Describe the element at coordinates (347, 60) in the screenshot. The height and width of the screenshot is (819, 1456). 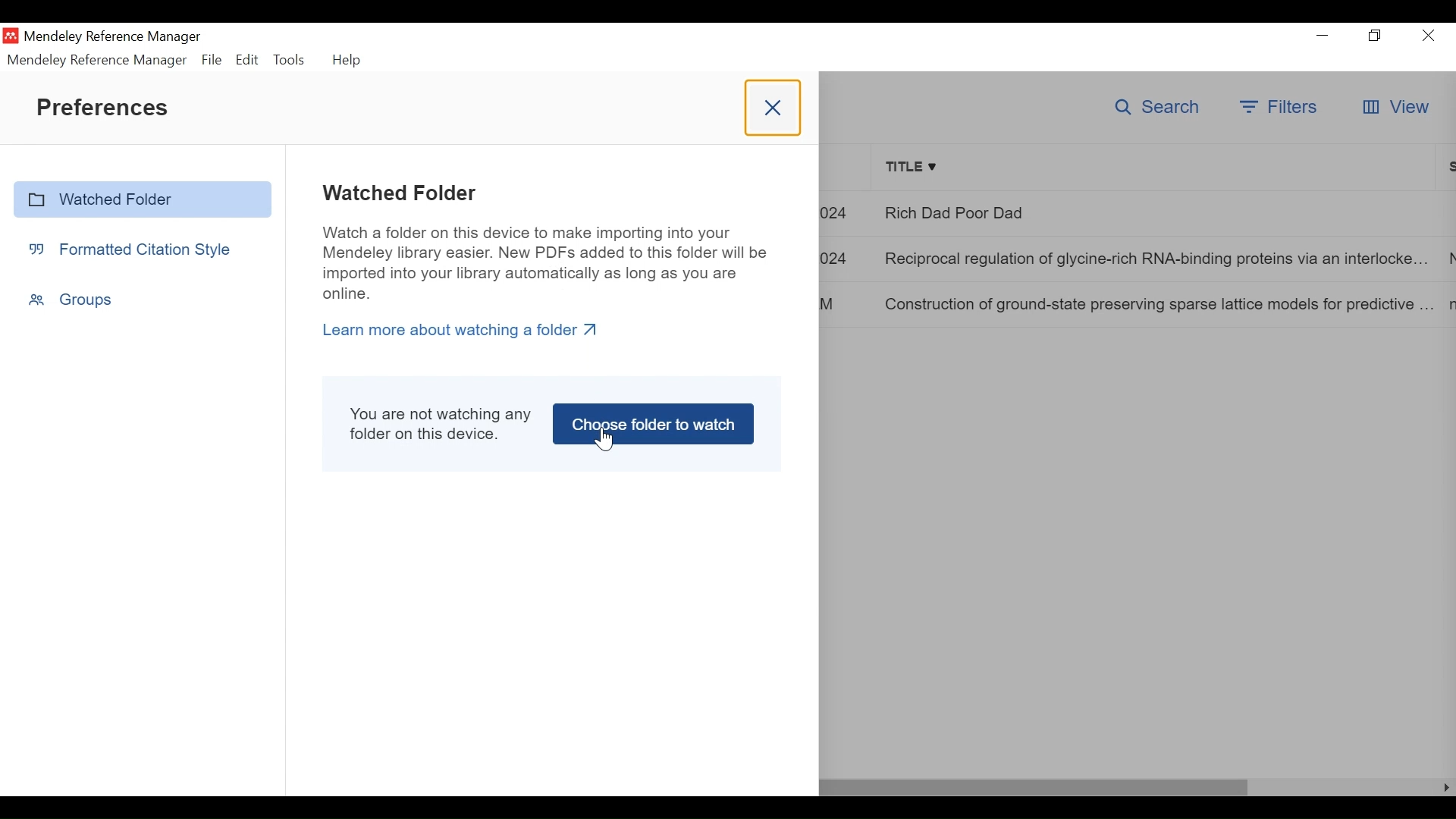
I see `Help` at that location.